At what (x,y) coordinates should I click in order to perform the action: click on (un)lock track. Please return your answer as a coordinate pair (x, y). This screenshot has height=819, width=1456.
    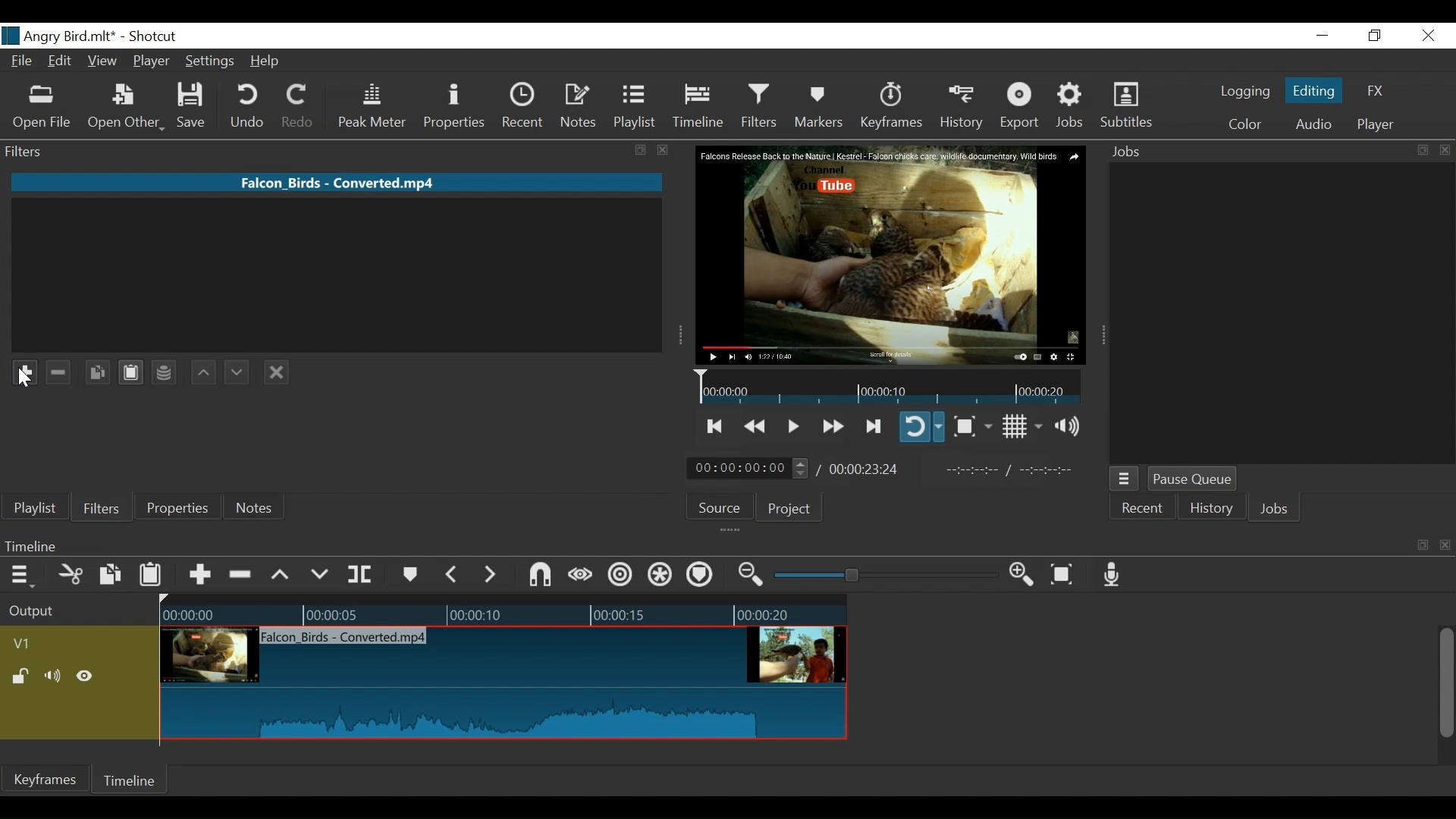
    Looking at the image, I should click on (24, 677).